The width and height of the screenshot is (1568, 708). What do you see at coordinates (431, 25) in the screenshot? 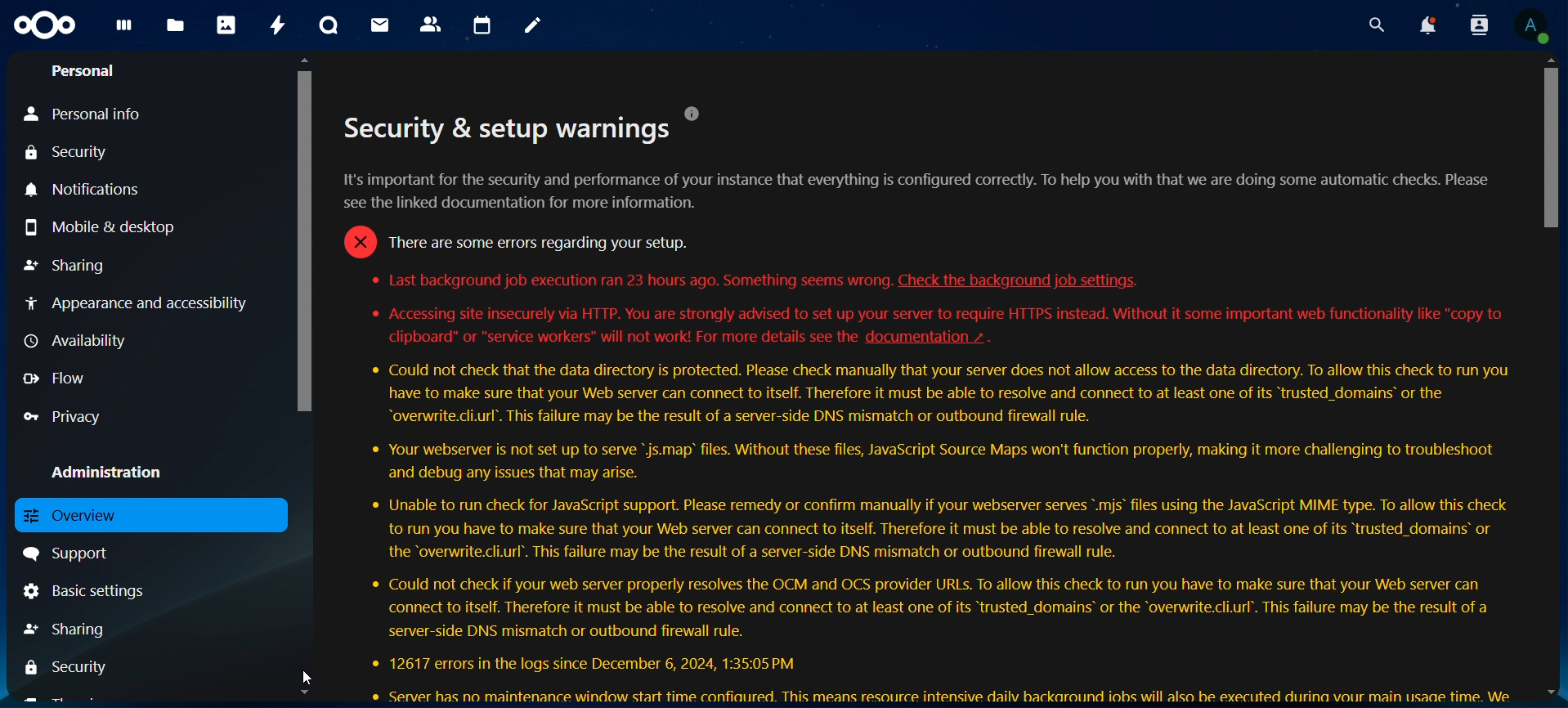
I see `contacts` at bounding box center [431, 25].